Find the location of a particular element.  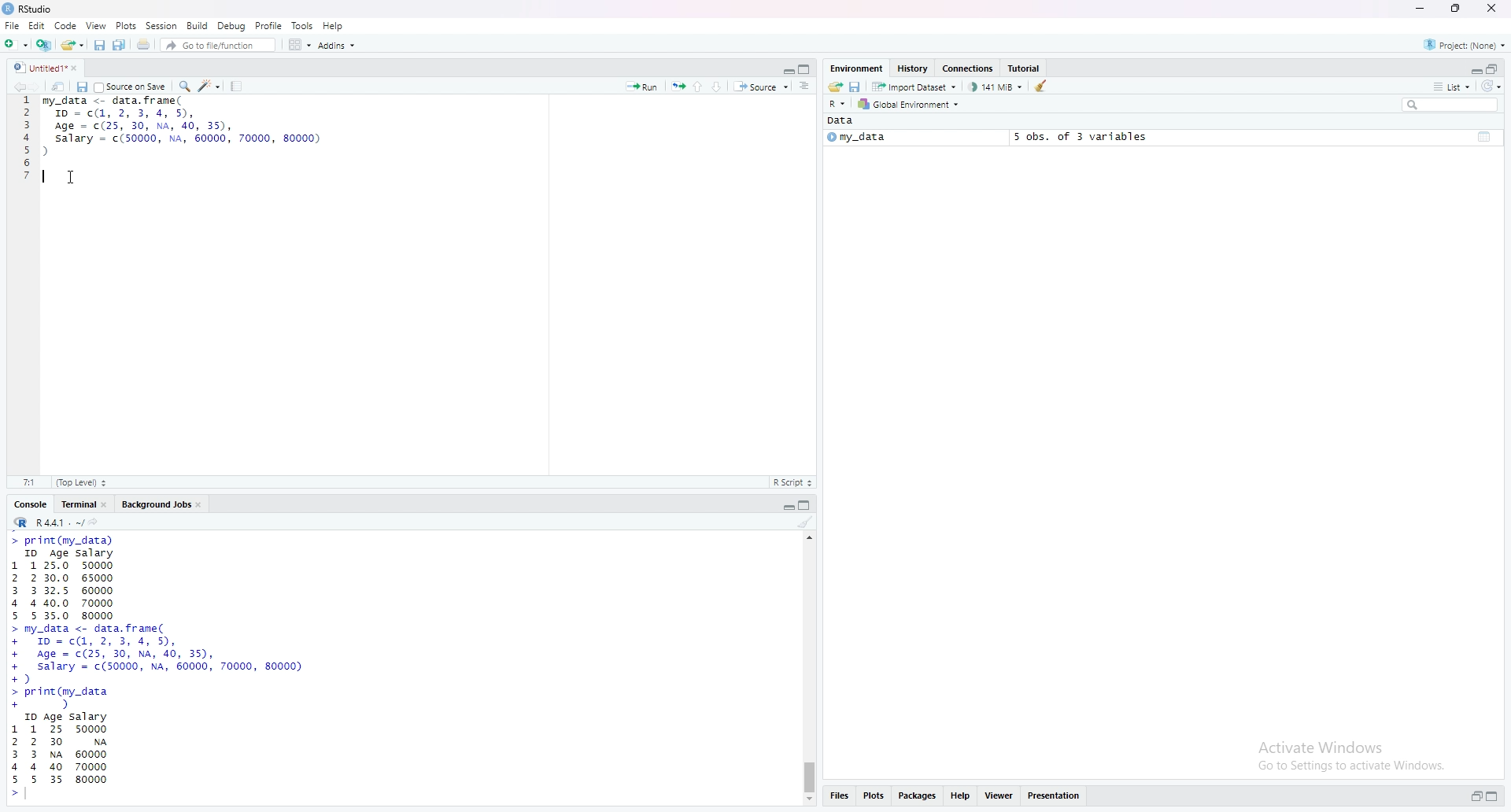

maximize is located at coordinates (1453, 8).